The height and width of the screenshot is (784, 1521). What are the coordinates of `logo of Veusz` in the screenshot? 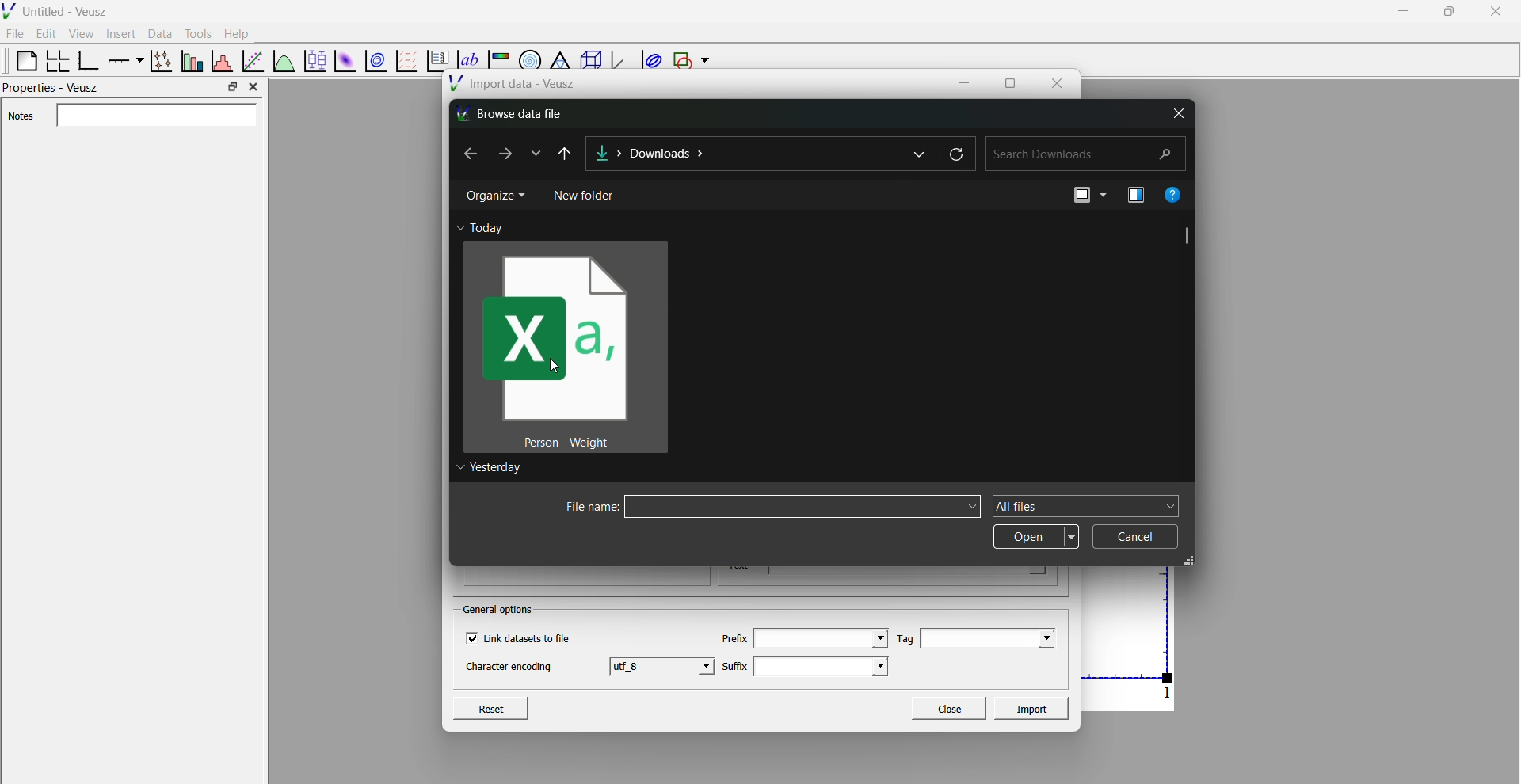 It's located at (10, 10).